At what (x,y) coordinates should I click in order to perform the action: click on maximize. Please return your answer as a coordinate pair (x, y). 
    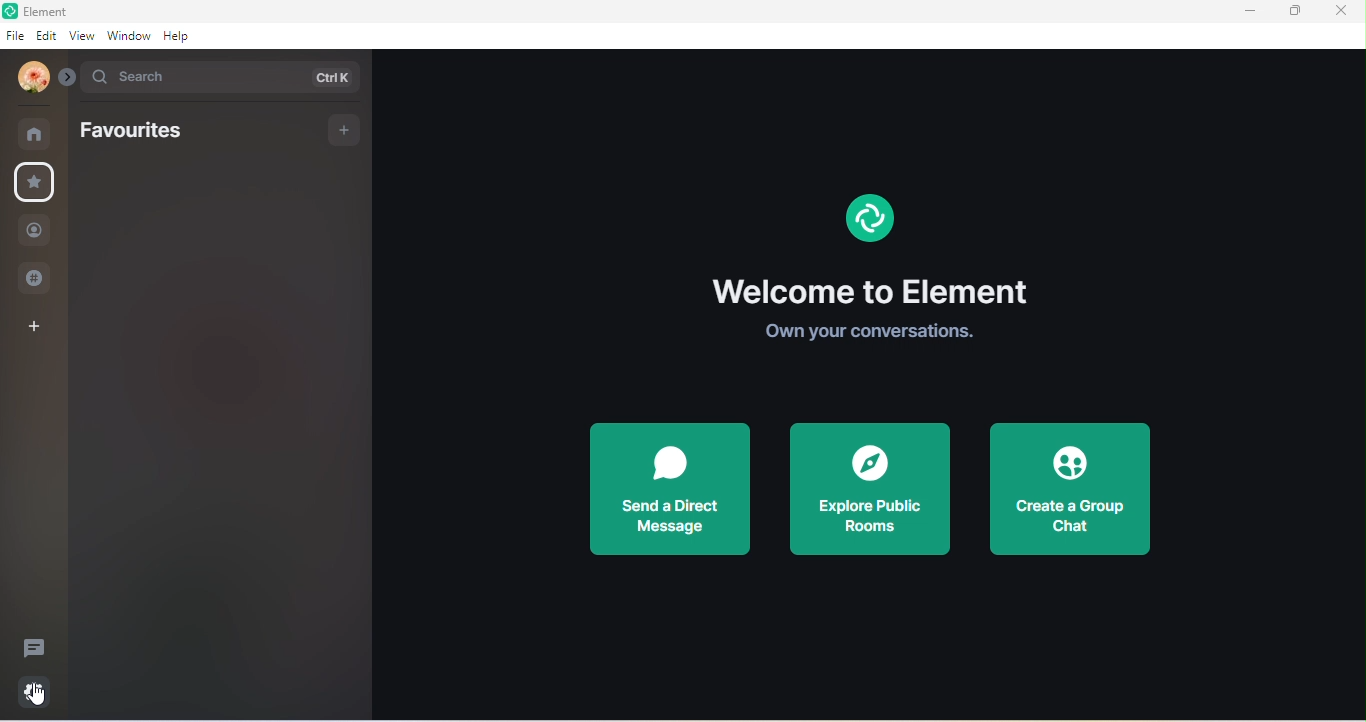
    Looking at the image, I should click on (1294, 12).